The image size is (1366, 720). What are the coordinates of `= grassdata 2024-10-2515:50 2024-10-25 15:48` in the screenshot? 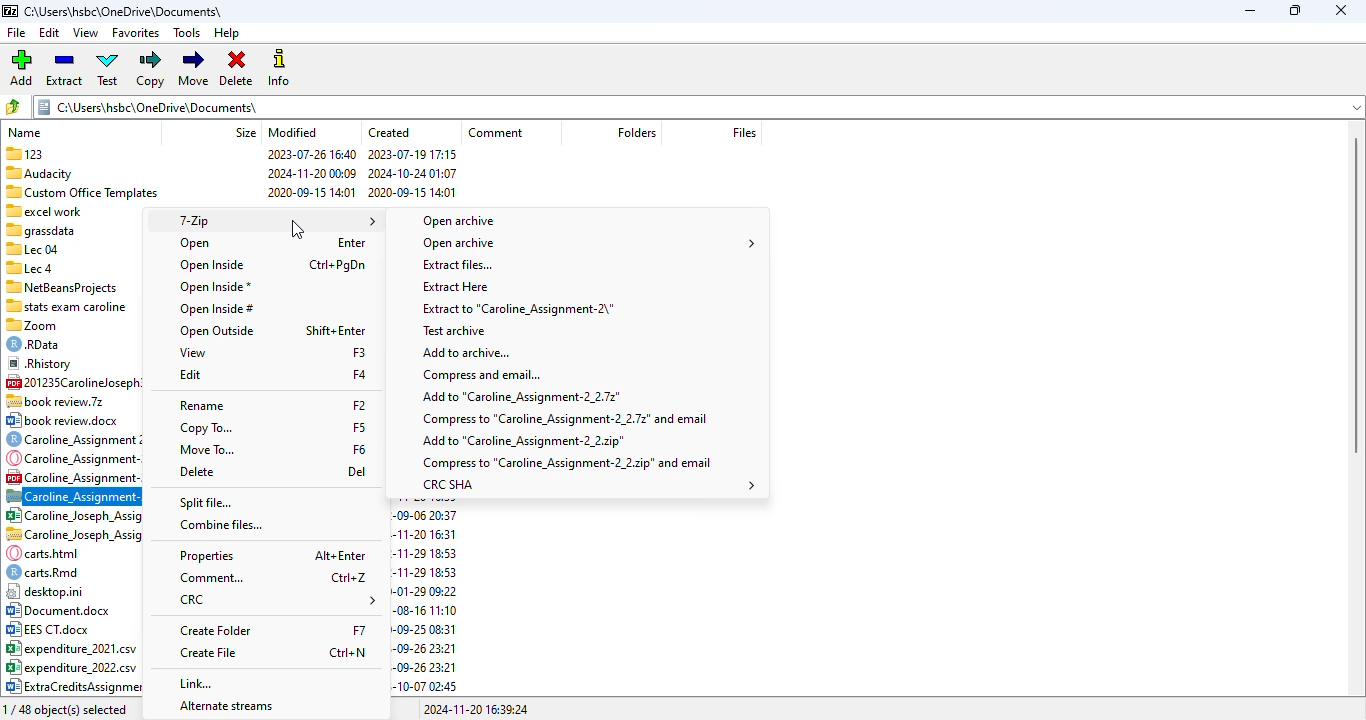 It's located at (71, 230).